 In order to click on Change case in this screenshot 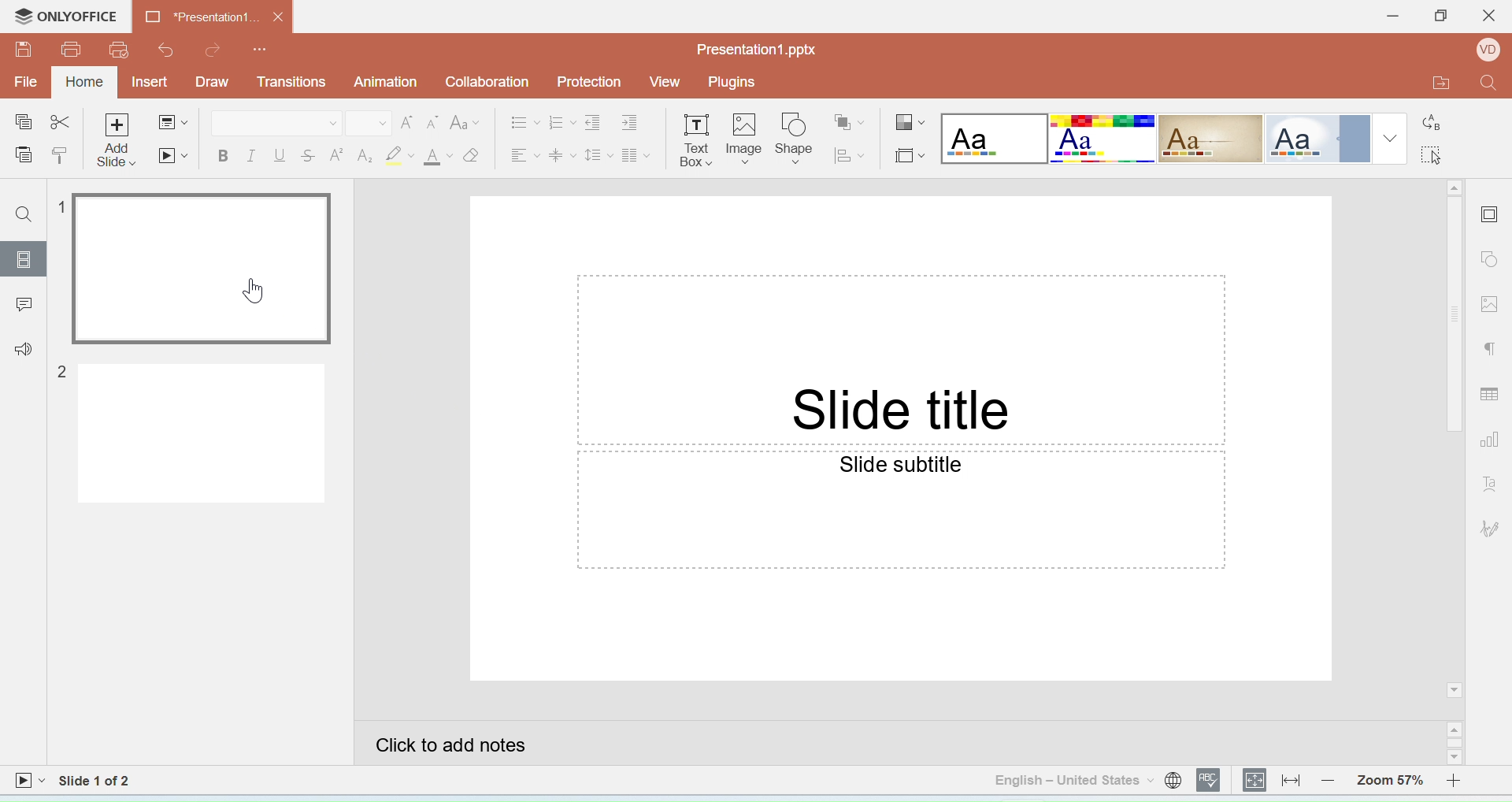, I will do `click(466, 122)`.